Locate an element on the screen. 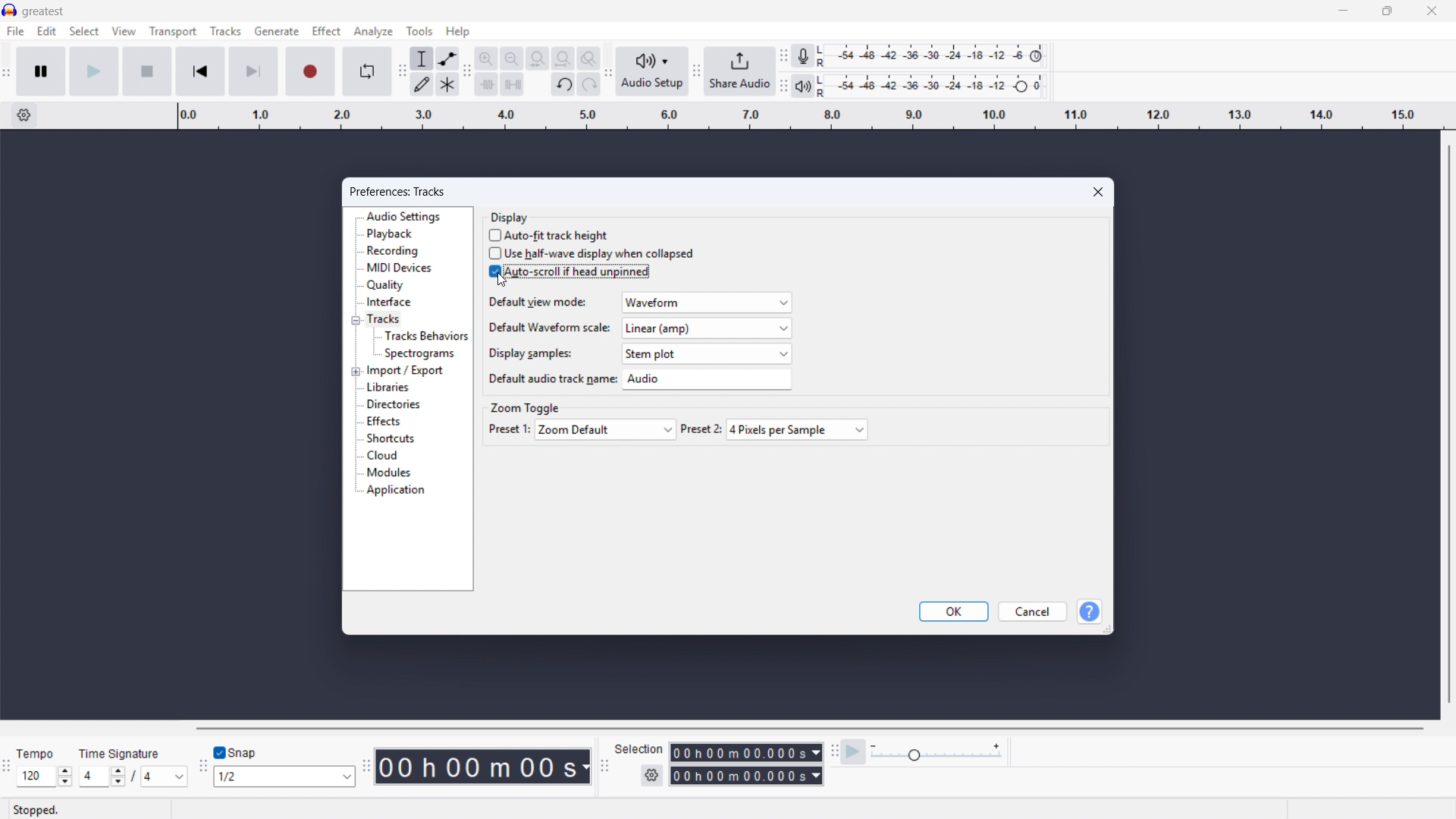 Image resolution: width=1456 pixels, height=819 pixels. Selection toolbar  is located at coordinates (606, 768).